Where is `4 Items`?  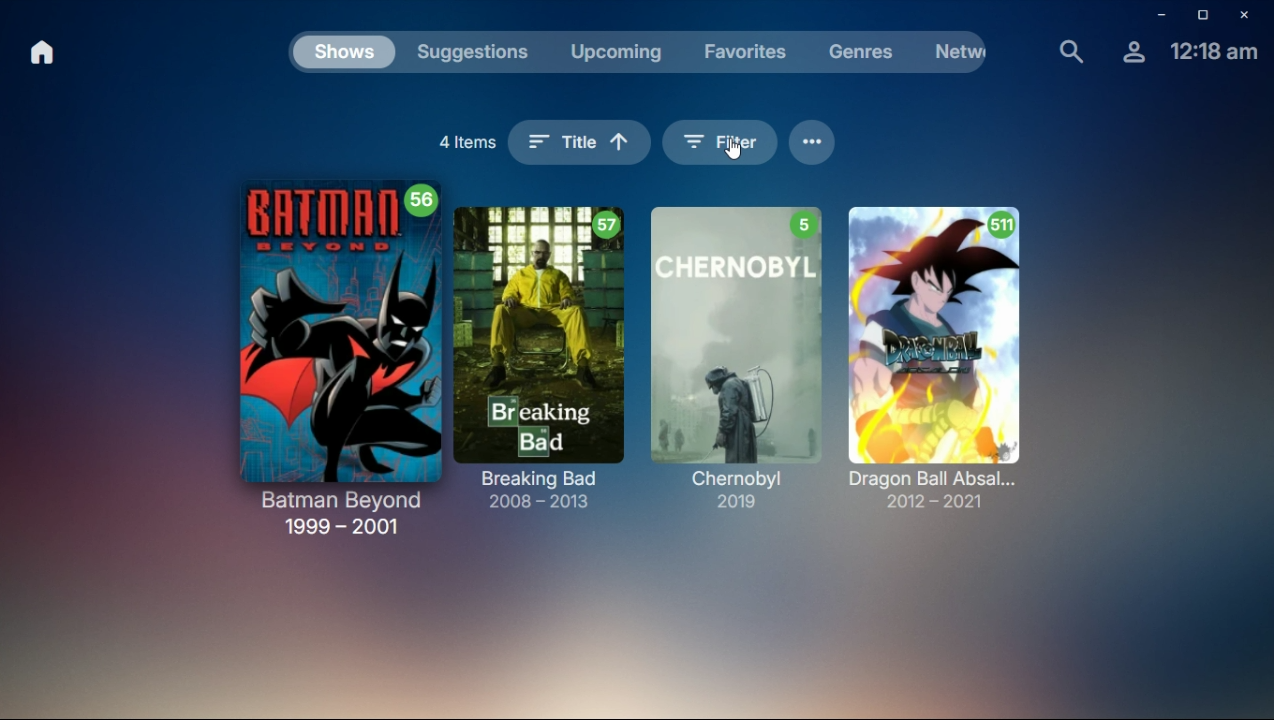 4 Items is located at coordinates (465, 138).